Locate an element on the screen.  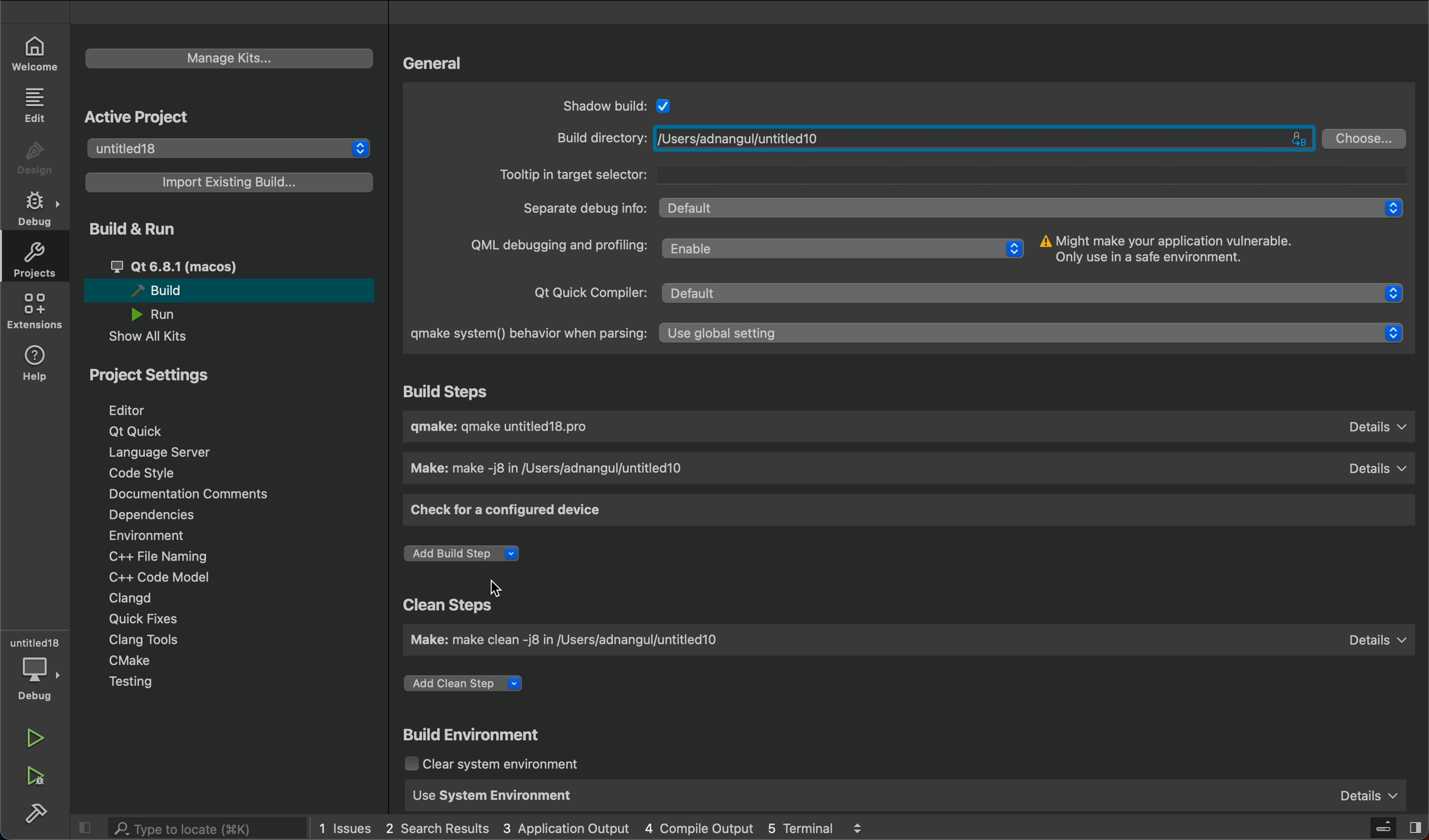
5 Terminal is located at coordinates (802, 829).